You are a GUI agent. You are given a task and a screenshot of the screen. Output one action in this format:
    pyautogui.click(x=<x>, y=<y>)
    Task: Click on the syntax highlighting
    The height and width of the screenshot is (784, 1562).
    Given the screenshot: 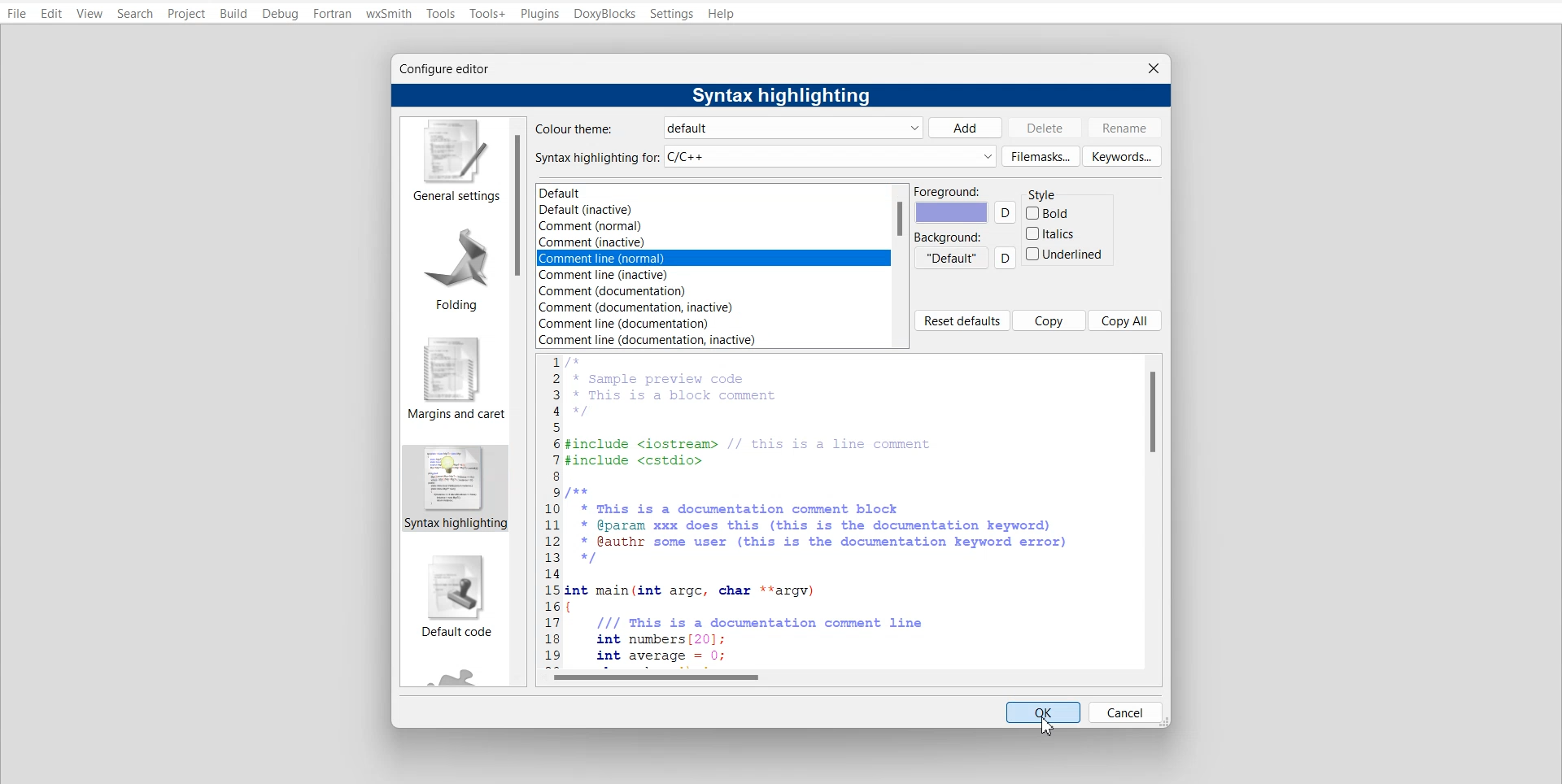 What is the action you would take?
    pyautogui.click(x=454, y=487)
    